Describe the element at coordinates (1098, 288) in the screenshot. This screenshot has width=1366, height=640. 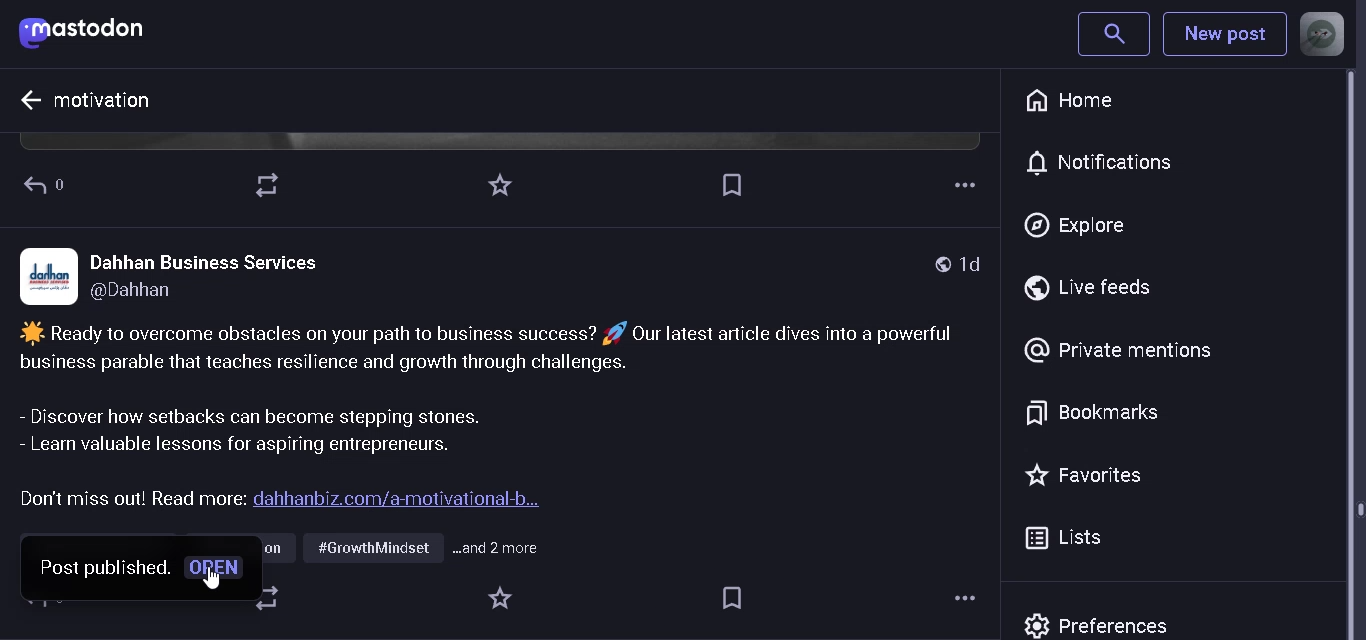
I see `live feeds` at that location.